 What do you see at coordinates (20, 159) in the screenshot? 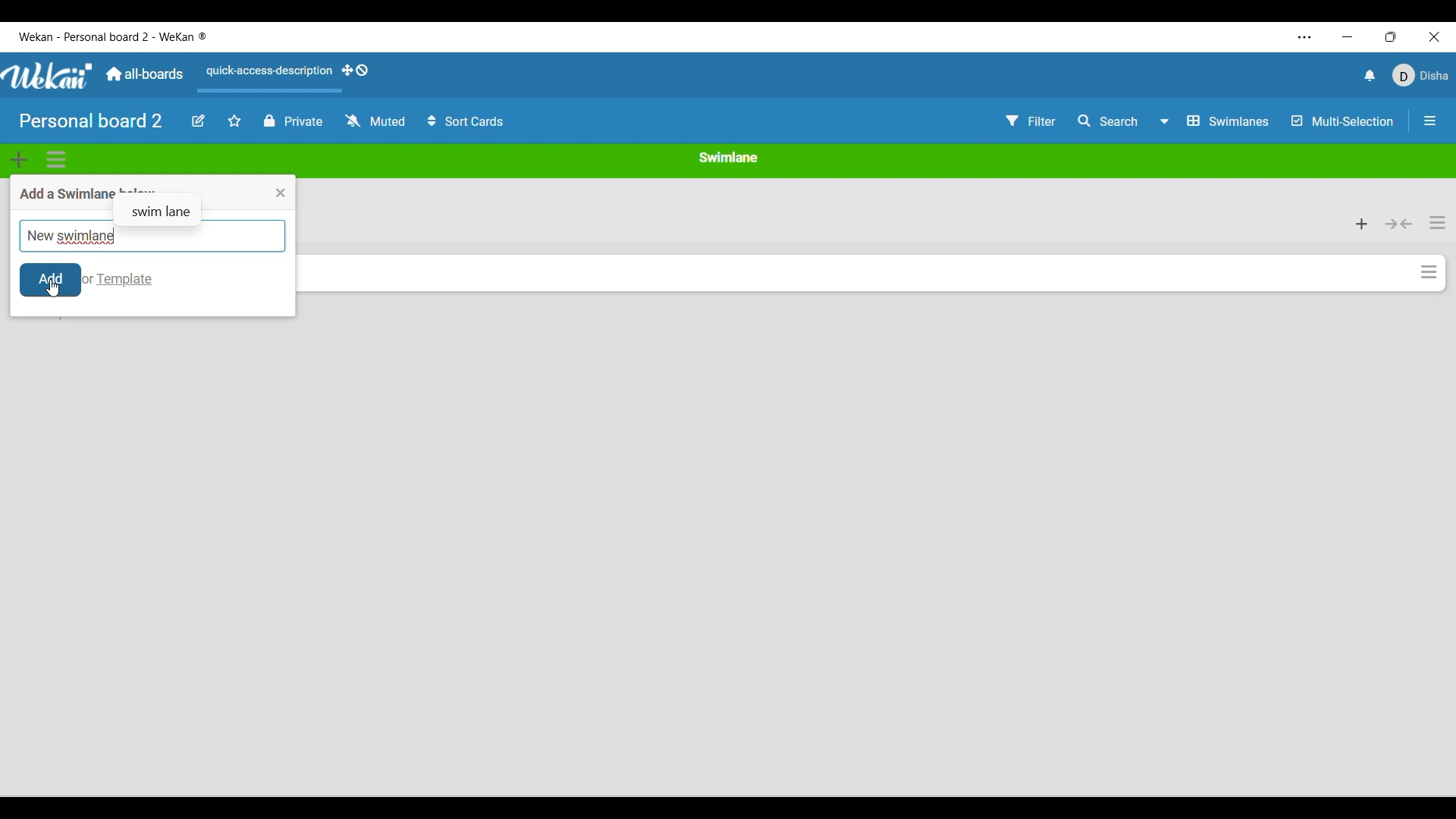
I see `Add swimlane` at bounding box center [20, 159].